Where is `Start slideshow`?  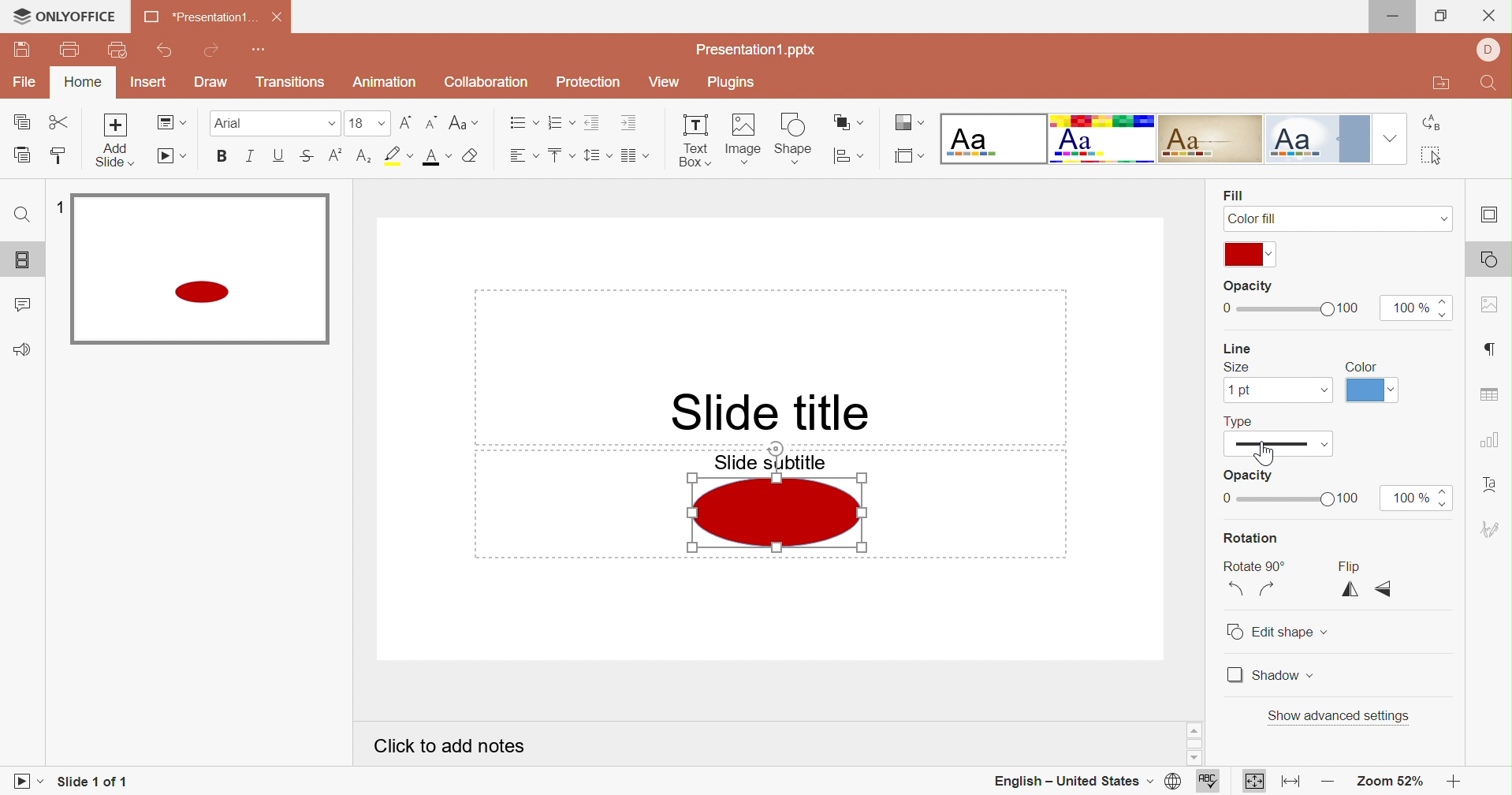
Start slideshow is located at coordinates (174, 157).